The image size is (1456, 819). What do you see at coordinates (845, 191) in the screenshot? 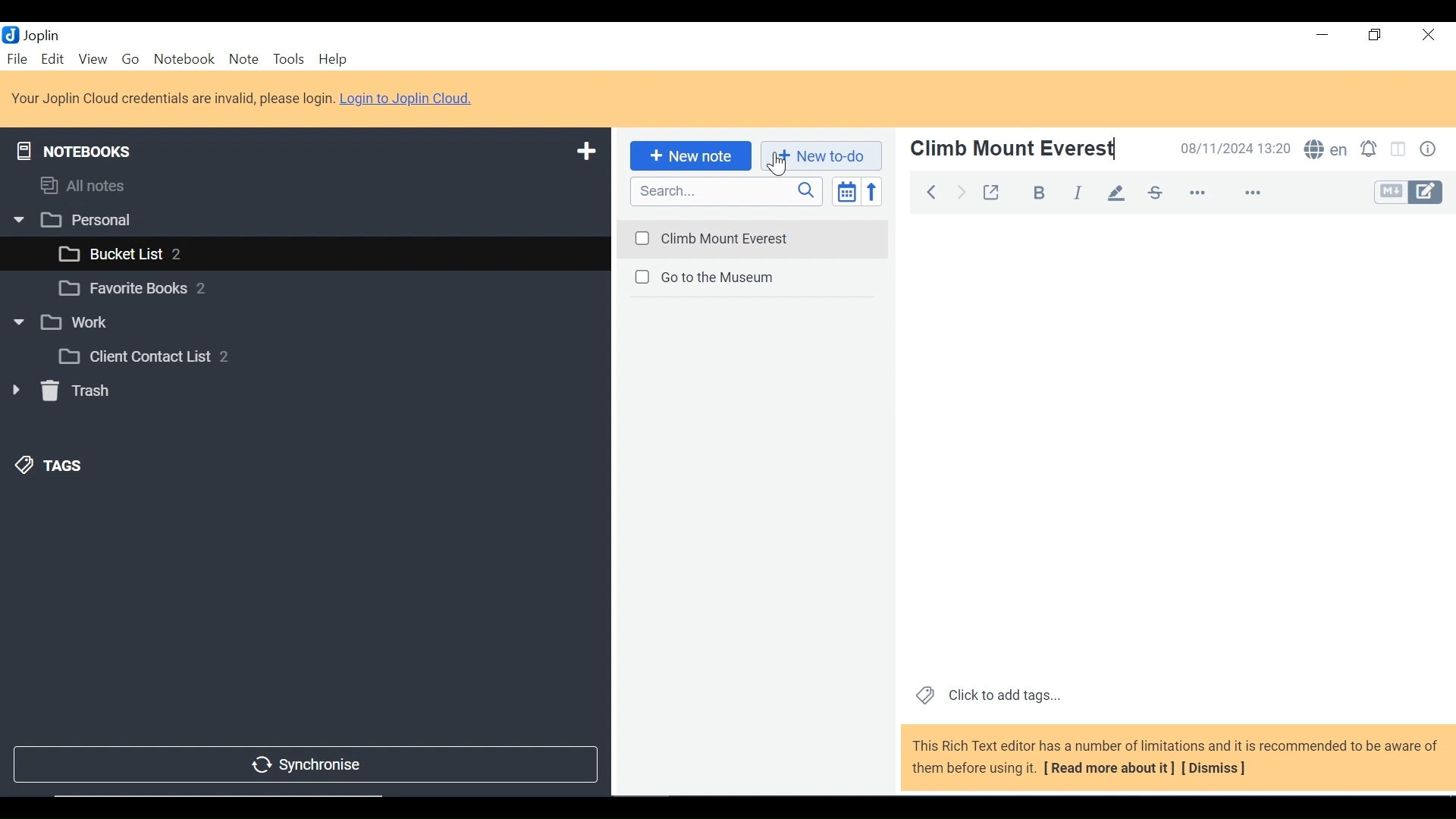
I see `Toggle sort editor list` at bounding box center [845, 191].